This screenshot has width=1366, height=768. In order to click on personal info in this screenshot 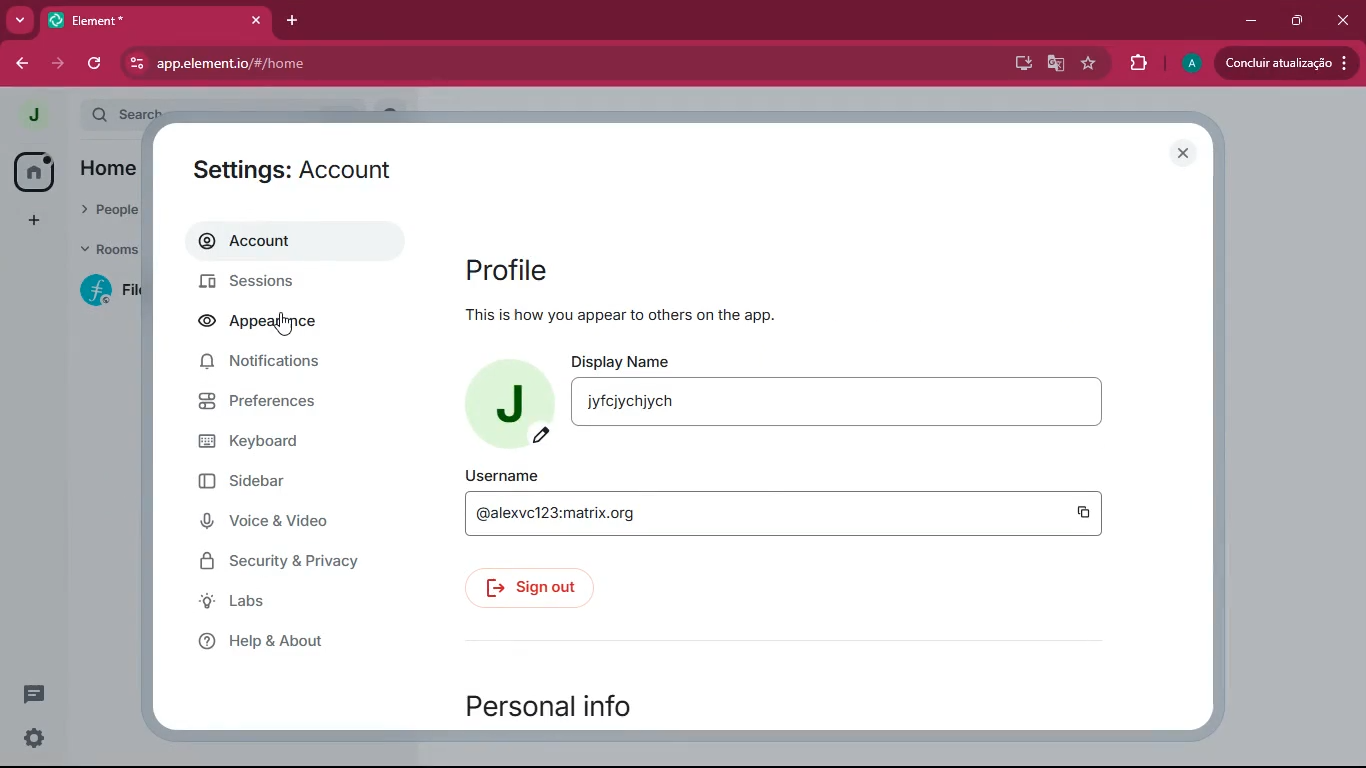, I will do `click(571, 704)`.